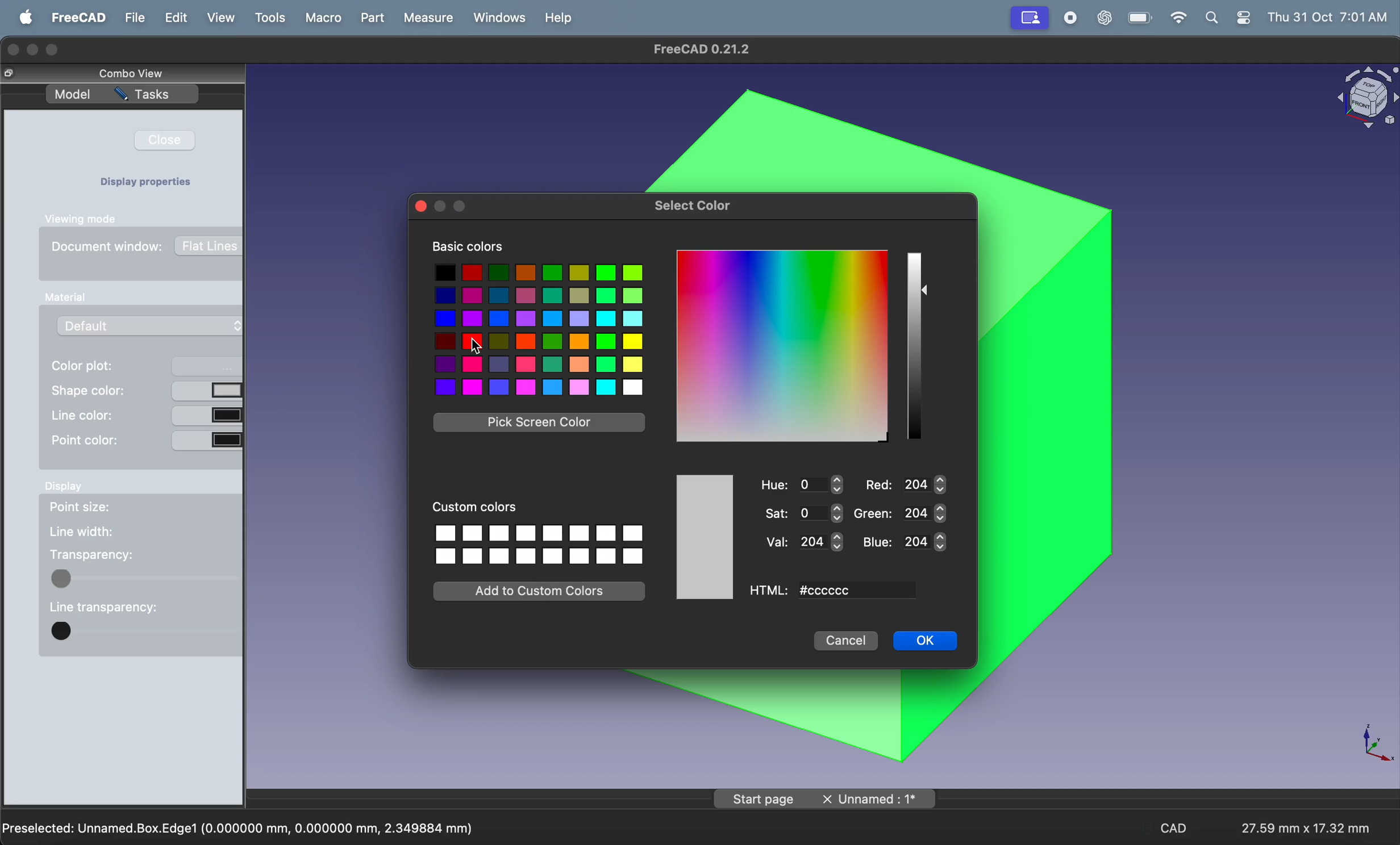 The height and width of the screenshot is (845, 1400). I want to click on file, so click(134, 17).